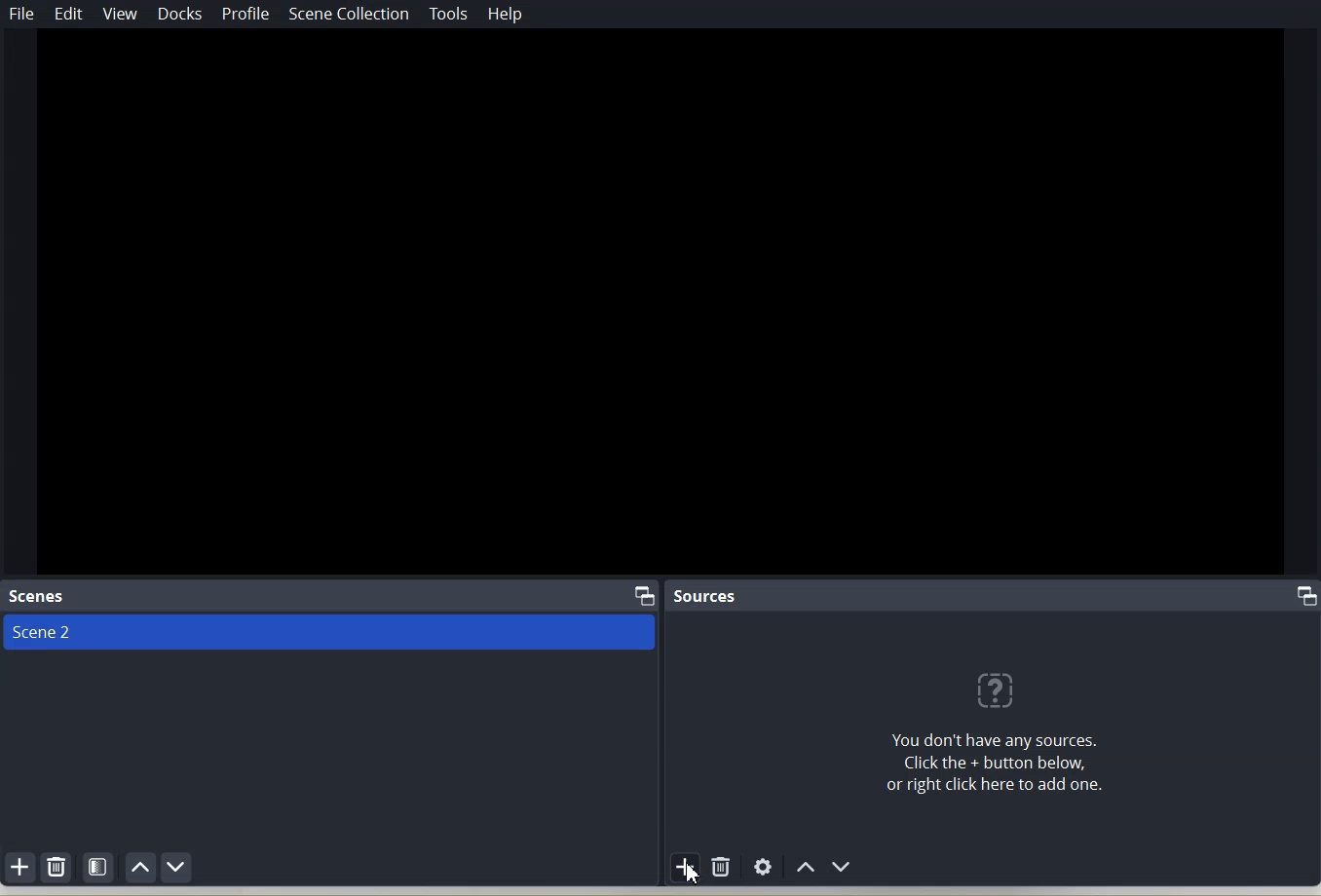 This screenshot has height=896, width=1321. What do you see at coordinates (70, 14) in the screenshot?
I see `Edit` at bounding box center [70, 14].